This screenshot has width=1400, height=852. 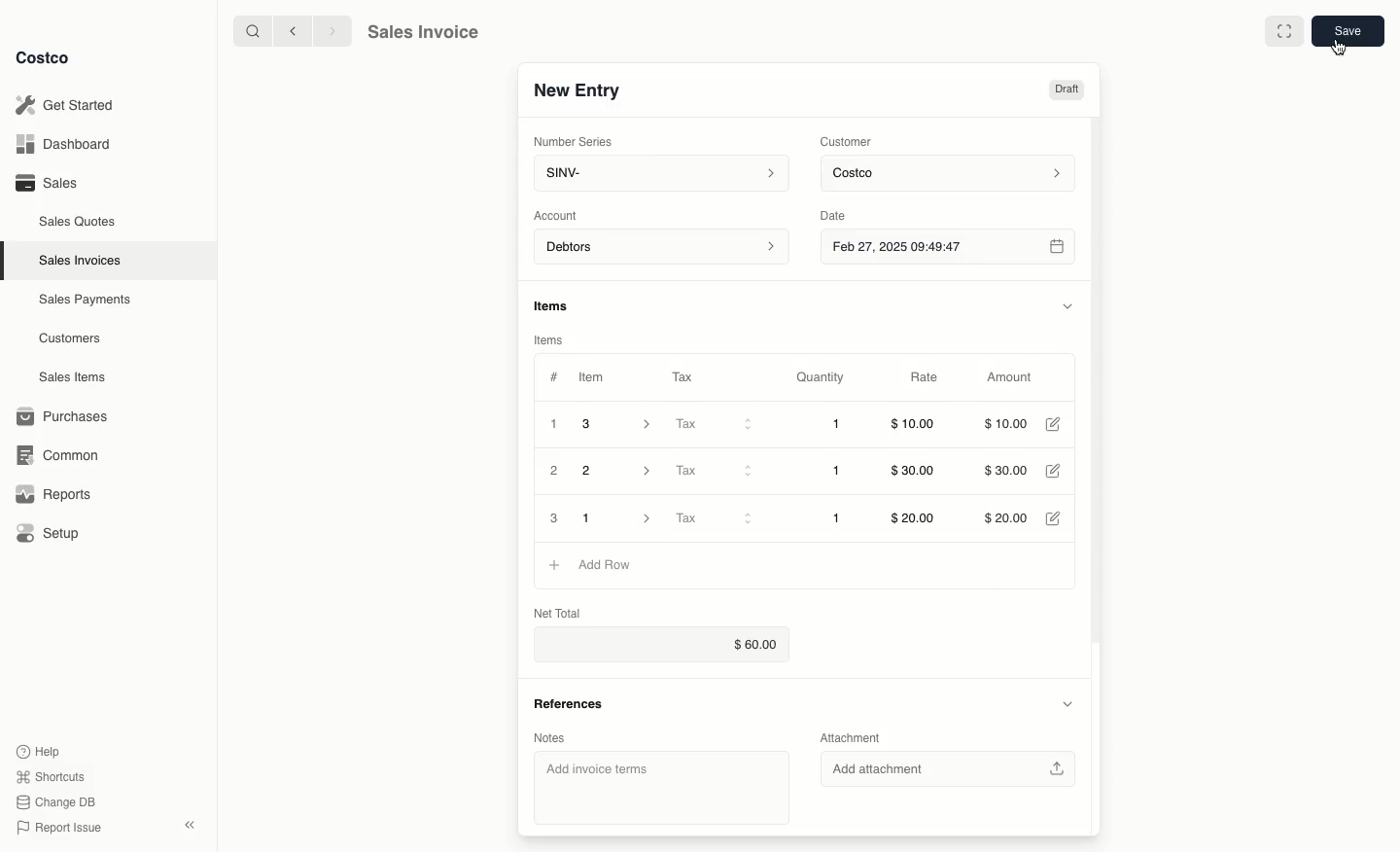 I want to click on Dashboard, so click(x=68, y=145).